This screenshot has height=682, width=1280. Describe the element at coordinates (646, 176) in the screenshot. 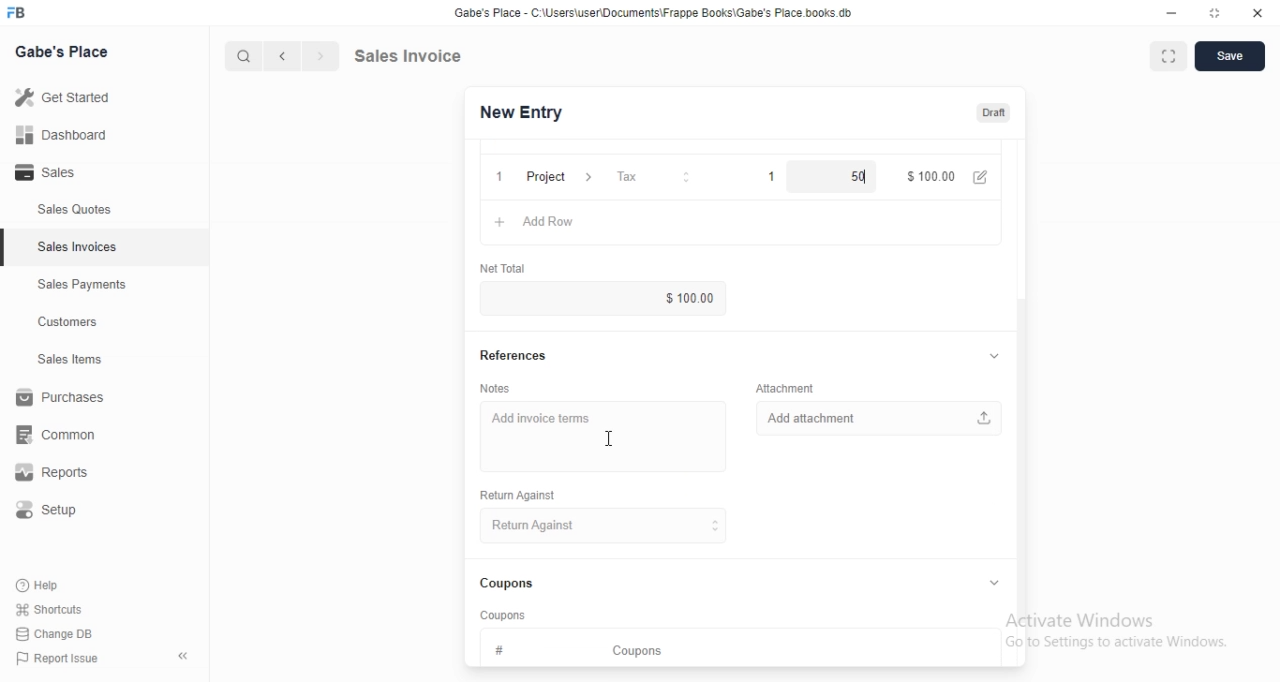

I see `Tax ` at that location.